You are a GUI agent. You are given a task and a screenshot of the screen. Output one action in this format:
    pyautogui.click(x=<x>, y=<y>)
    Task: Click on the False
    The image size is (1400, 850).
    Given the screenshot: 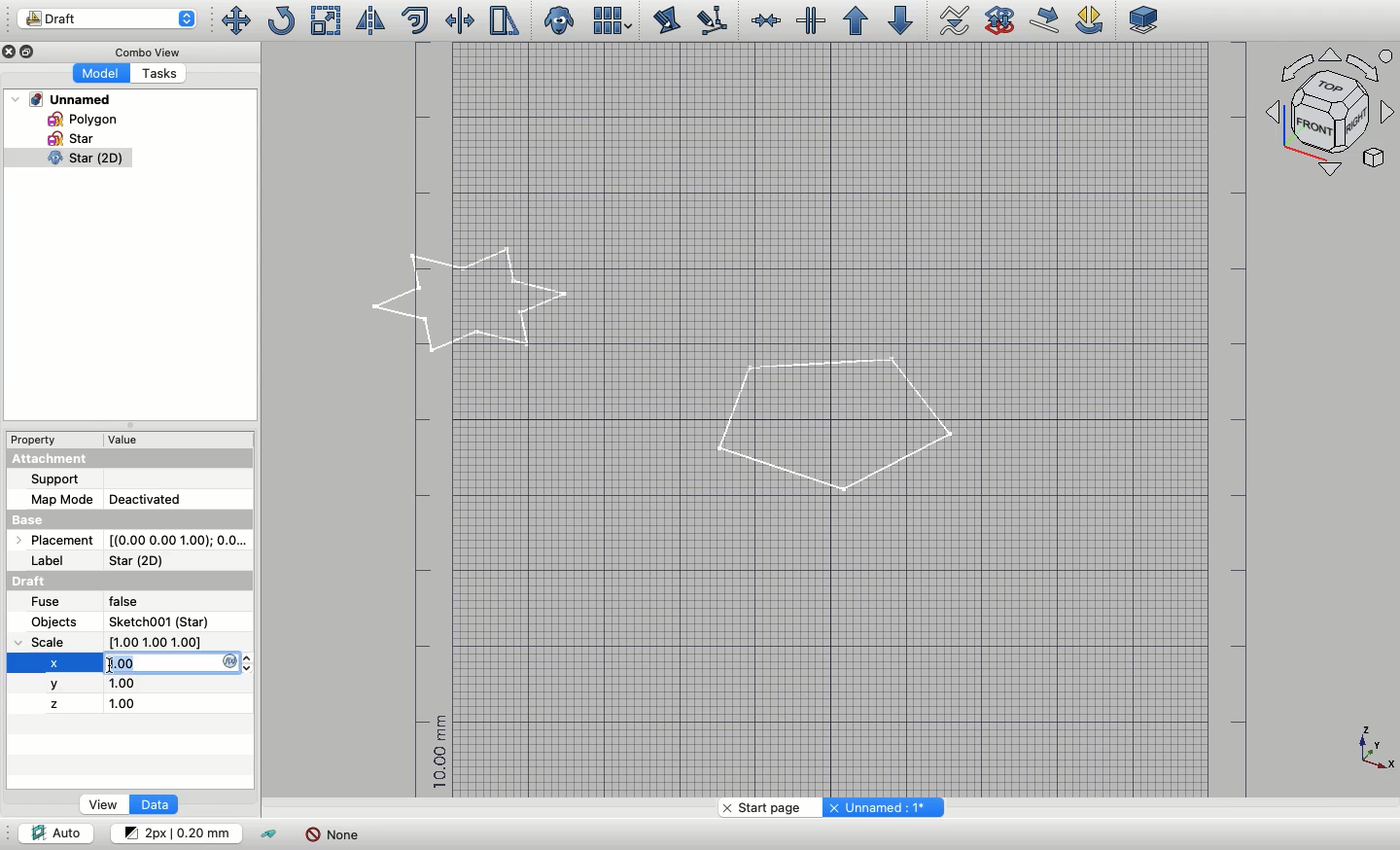 What is the action you would take?
    pyautogui.click(x=138, y=602)
    